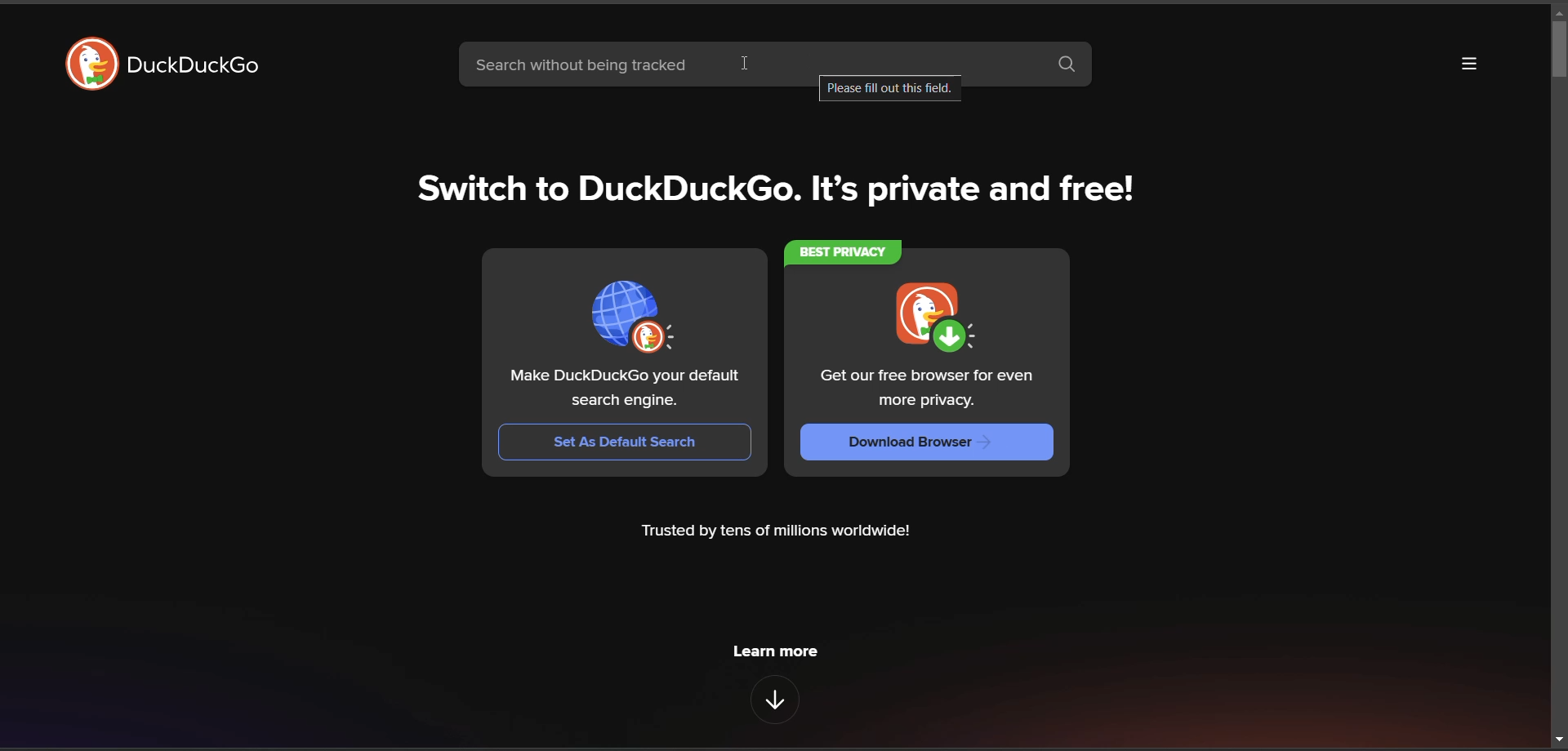  I want to click on tool tip, so click(891, 86).